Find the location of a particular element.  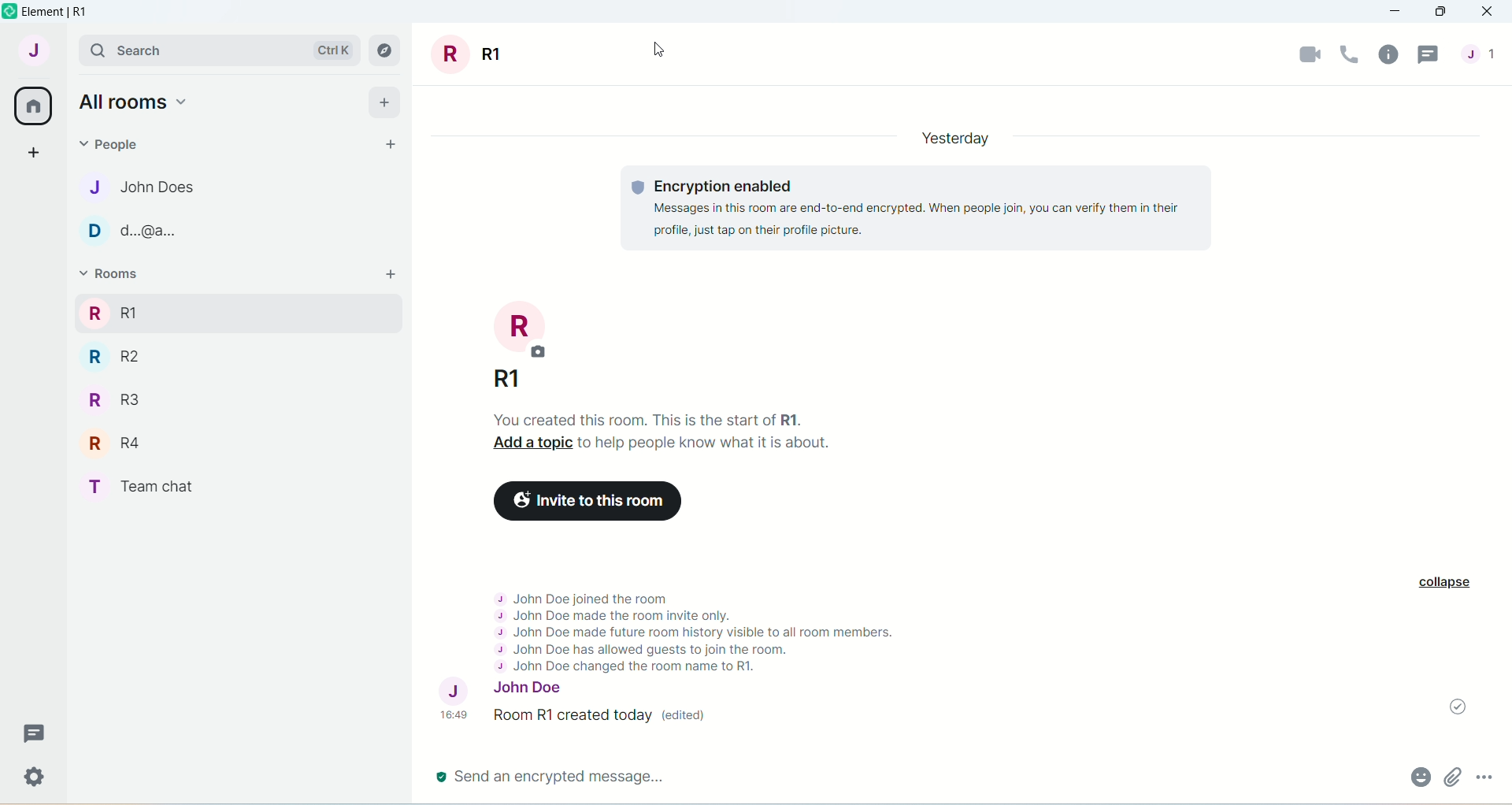

John Doe is located at coordinates (547, 688).